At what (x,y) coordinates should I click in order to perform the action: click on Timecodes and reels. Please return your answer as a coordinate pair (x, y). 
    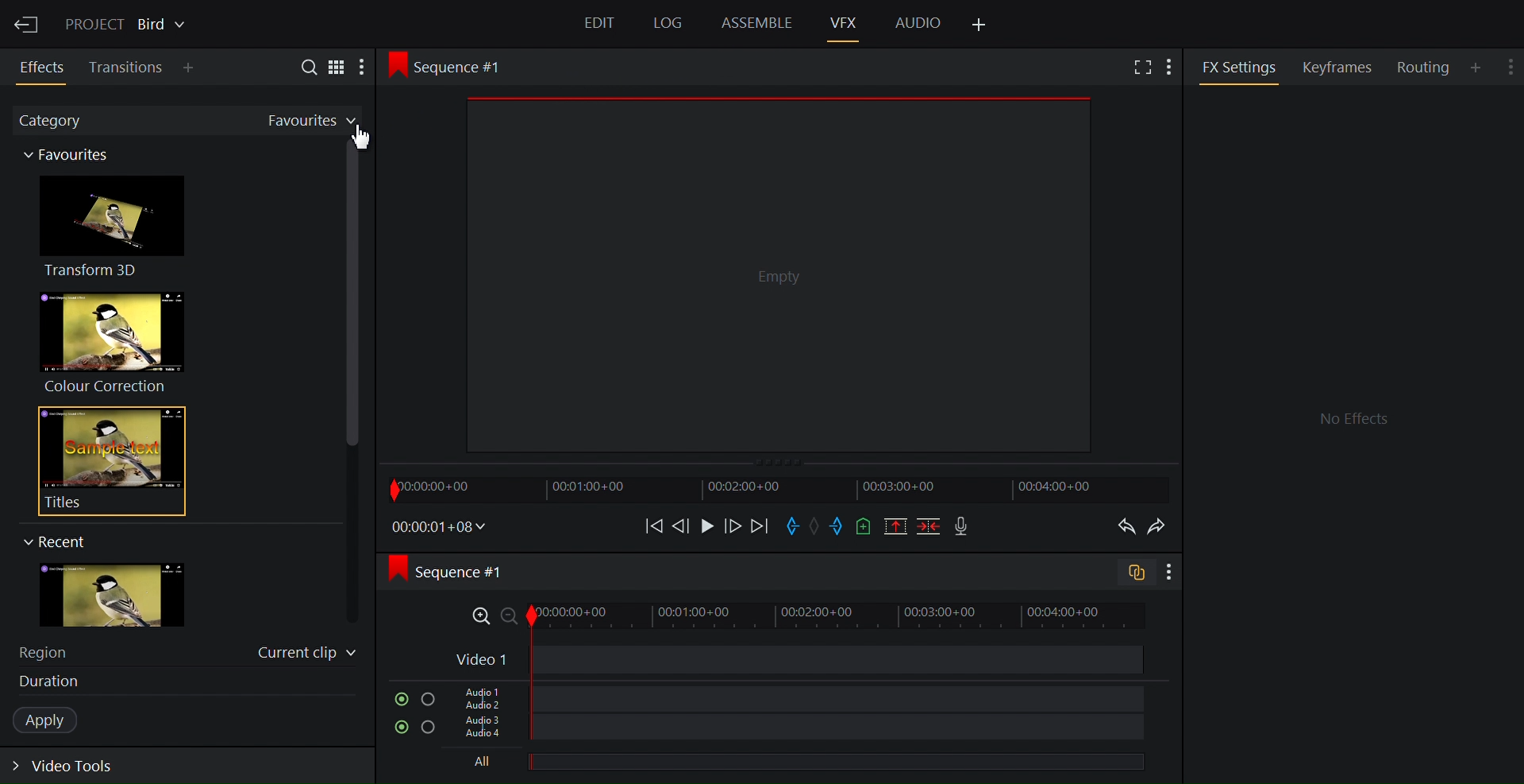
    Looking at the image, I should click on (440, 527).